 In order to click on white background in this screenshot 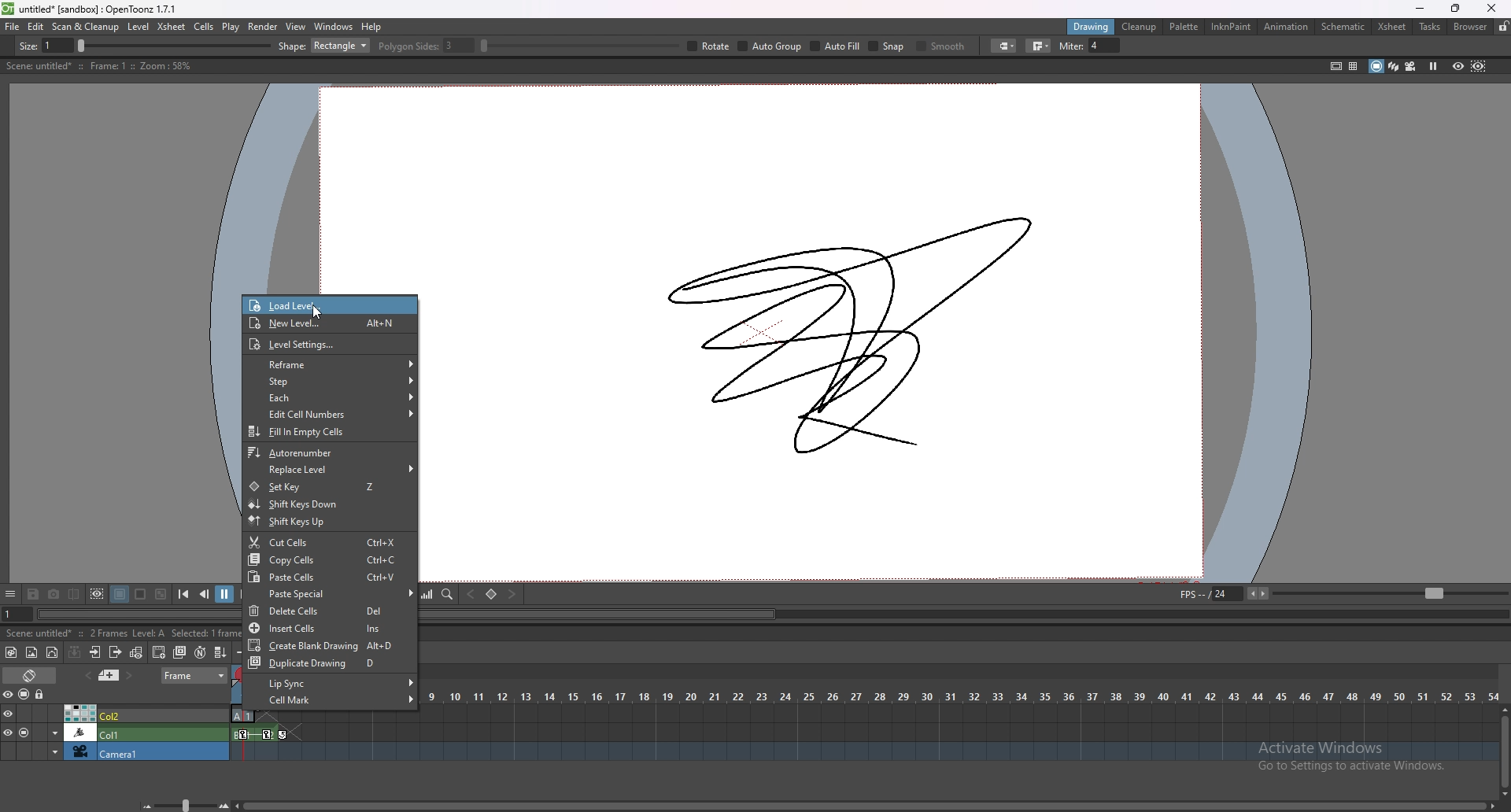, I will do `click(139, 594)`.